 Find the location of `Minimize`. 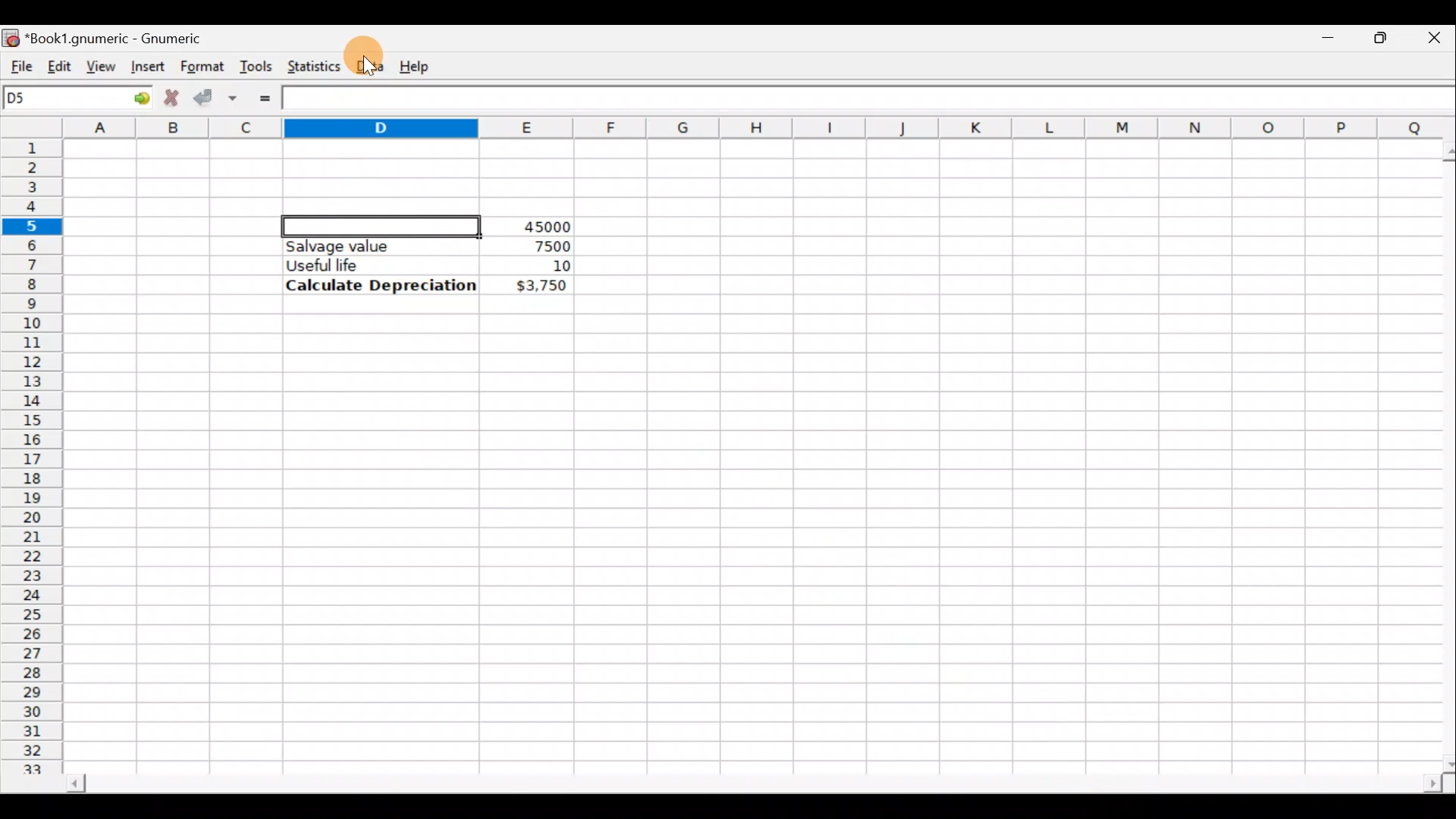

Minimize is located at coordinates (1332, 34).